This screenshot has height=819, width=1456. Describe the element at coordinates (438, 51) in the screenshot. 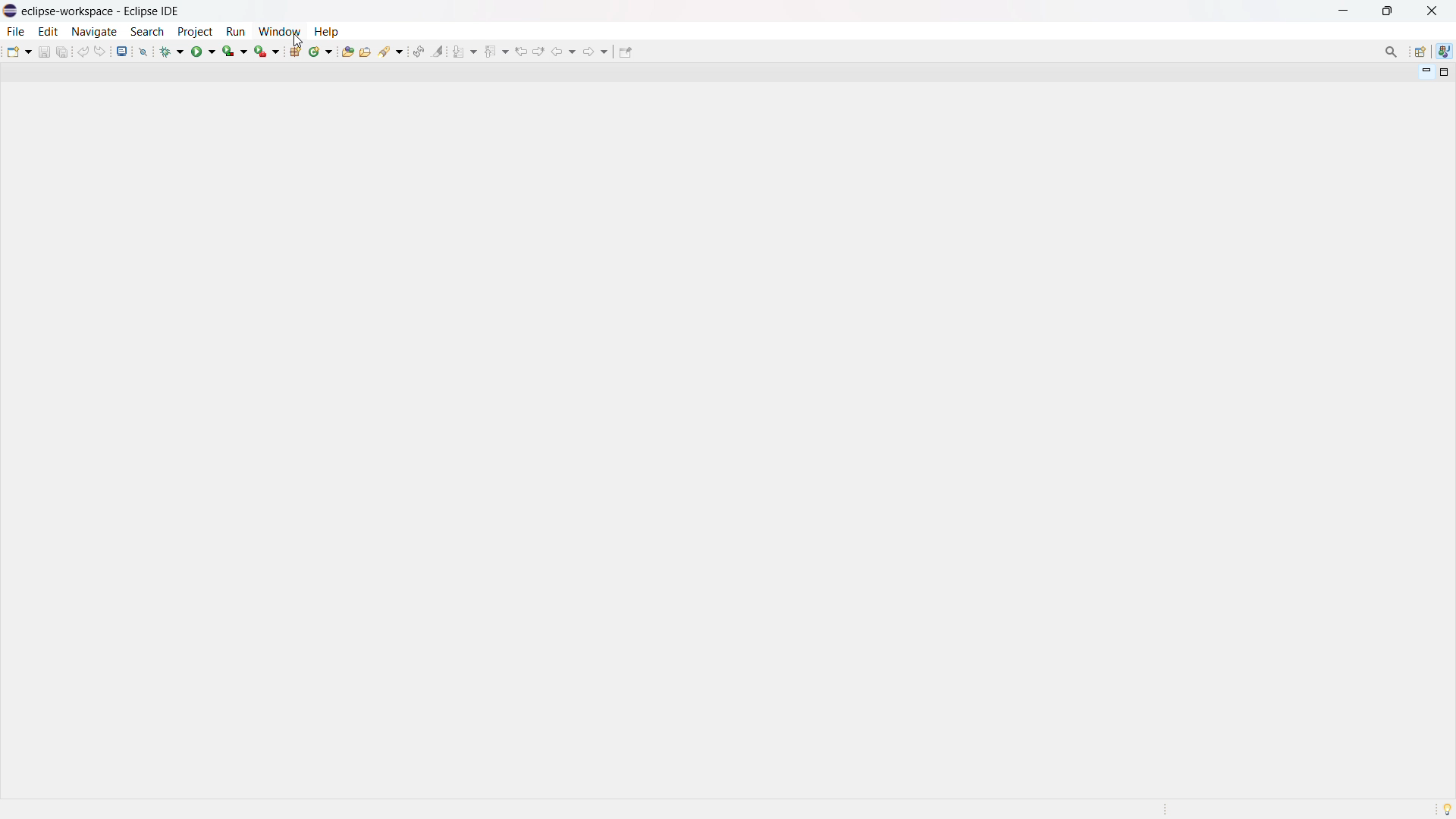

I see `toggle ant mark occurances` at that location.